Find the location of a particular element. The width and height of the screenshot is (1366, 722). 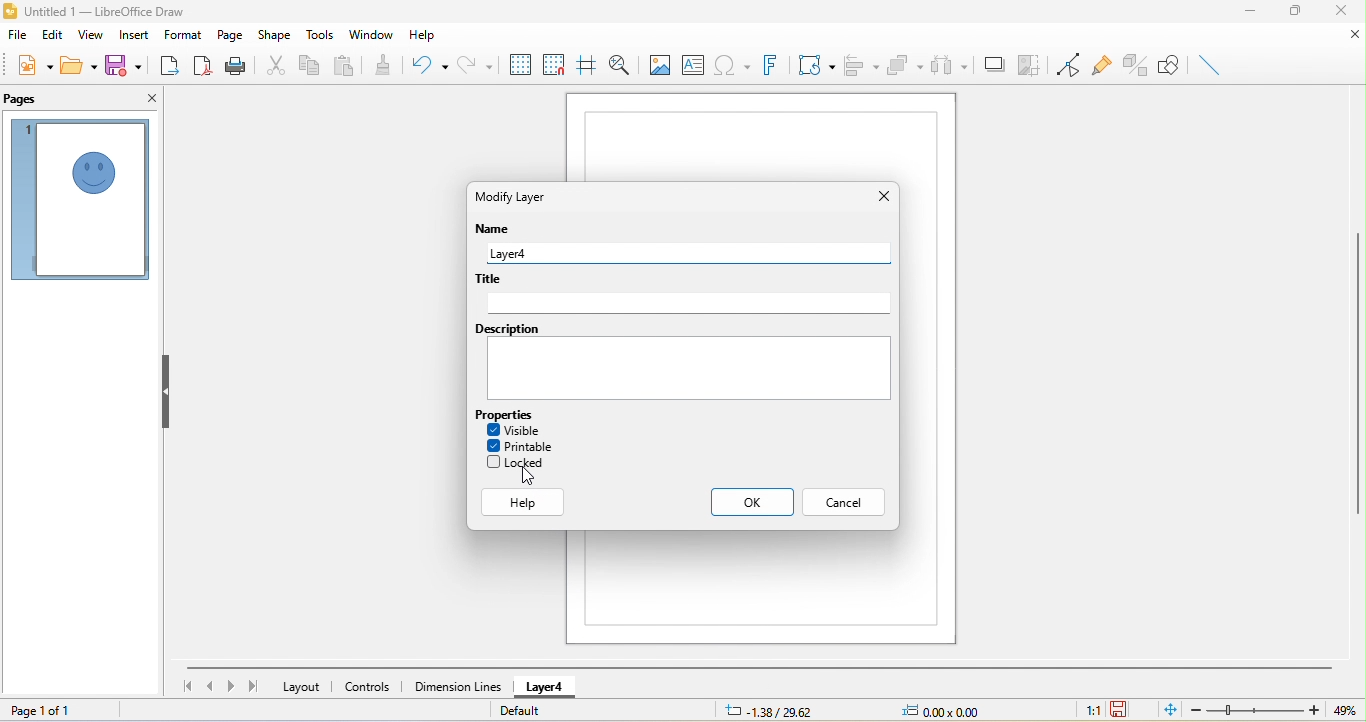

pages is located at coordinates (29, 99).